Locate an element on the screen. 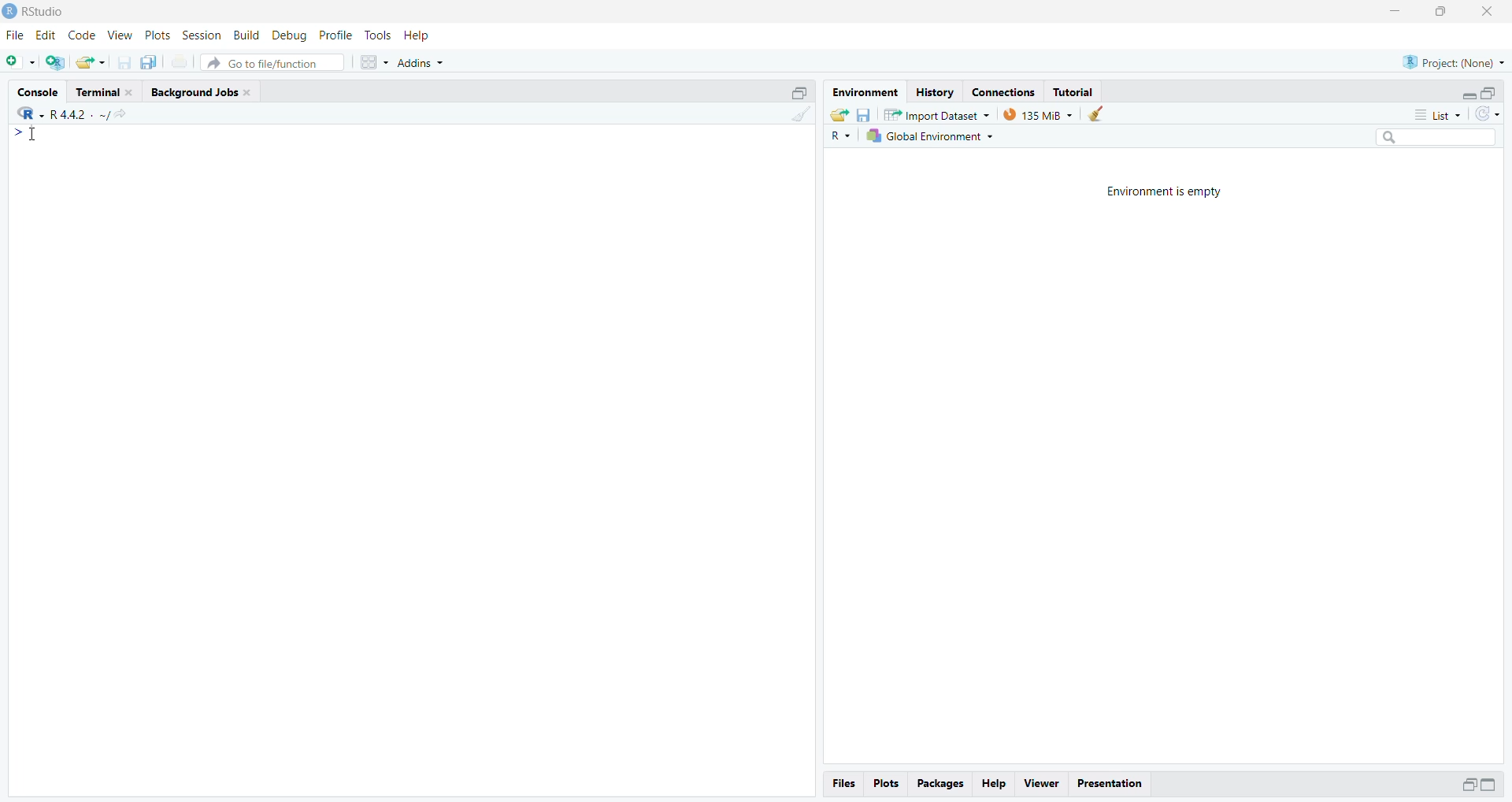 This screenshot has width=1512, height=802. 135 MiB is located at coordinates (1038, 114).